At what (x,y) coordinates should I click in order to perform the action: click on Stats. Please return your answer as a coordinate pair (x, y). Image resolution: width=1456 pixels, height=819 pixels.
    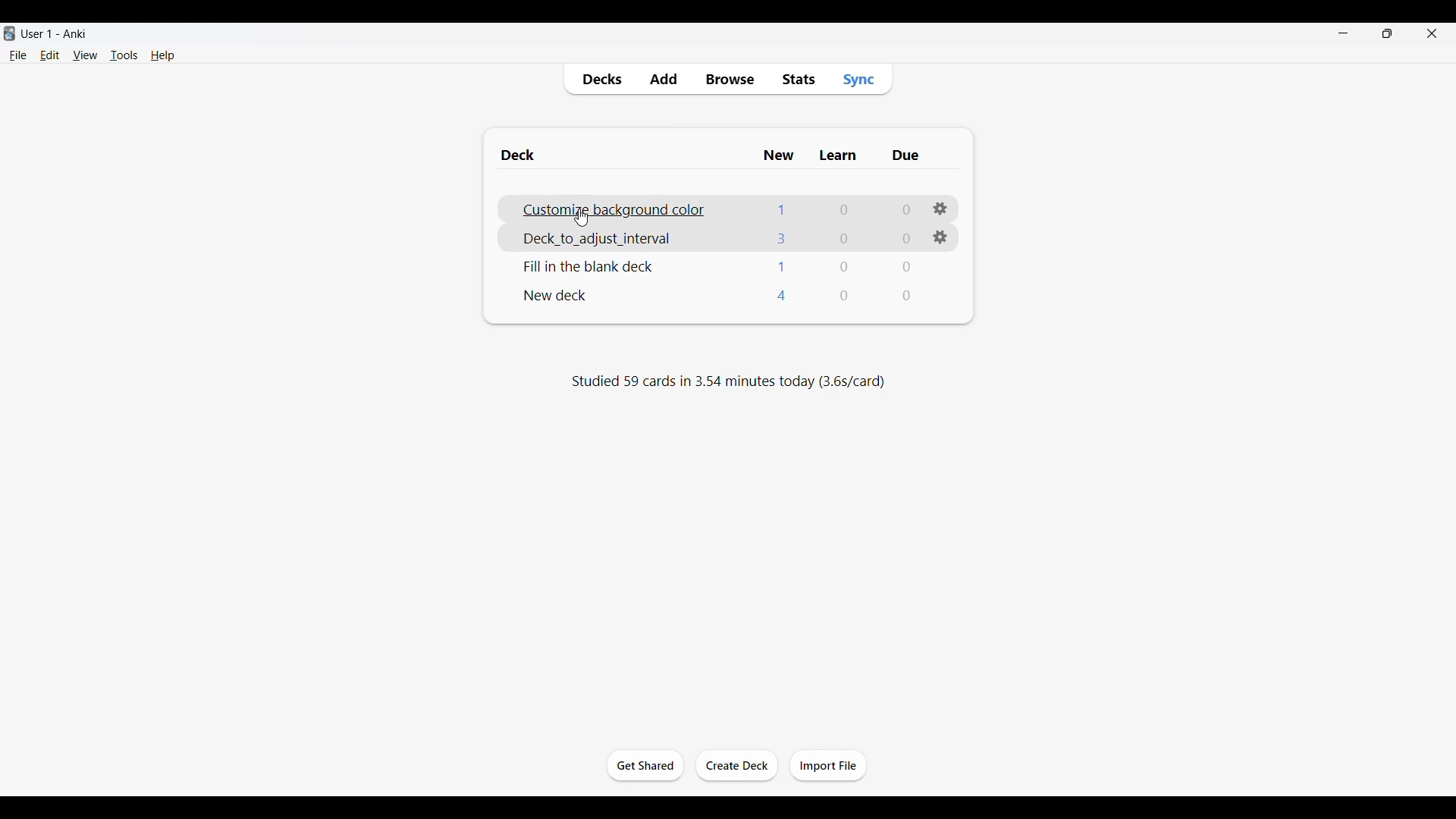
    Looking at the image, I should click on (798, 80).